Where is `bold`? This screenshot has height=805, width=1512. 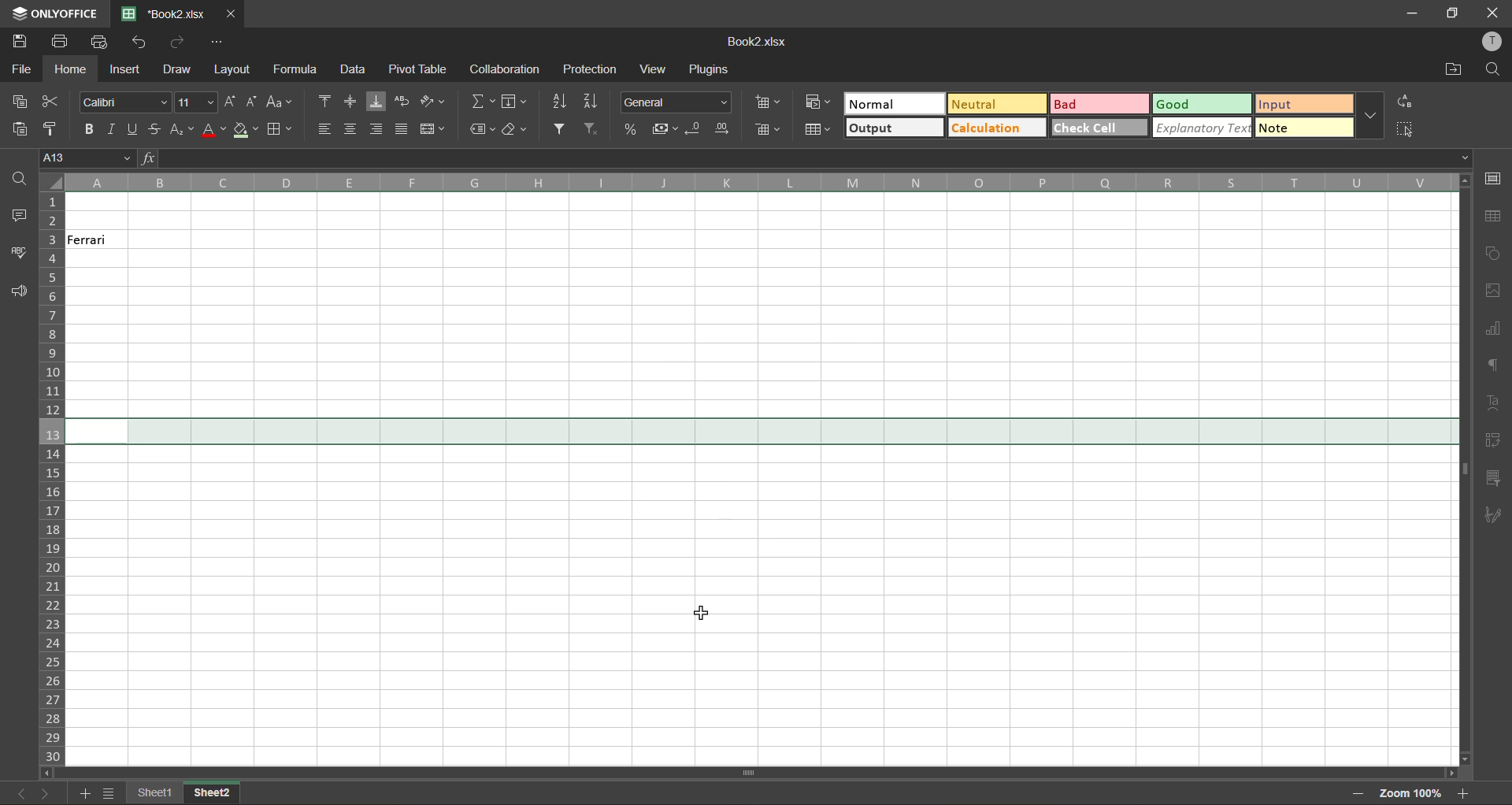
bold is located at coordinates (88, 130).